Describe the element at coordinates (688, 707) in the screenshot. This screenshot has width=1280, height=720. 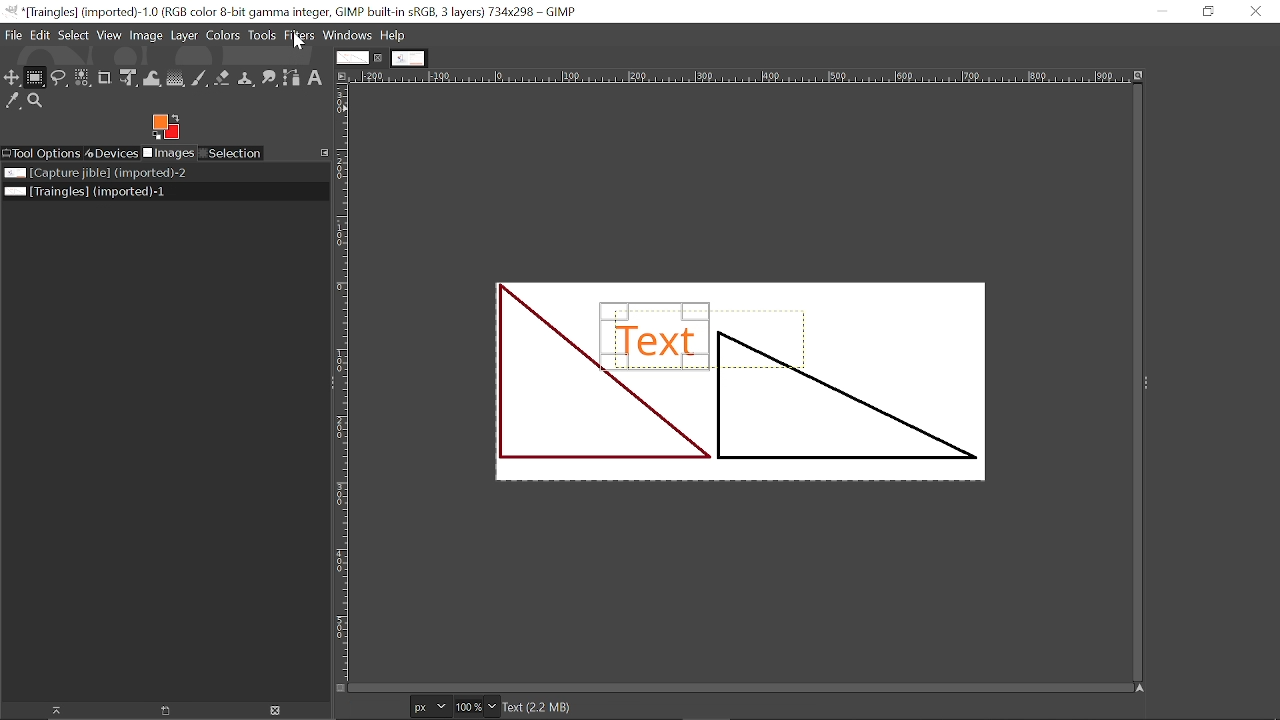
I see `Text (2.2 MB)` at that location.